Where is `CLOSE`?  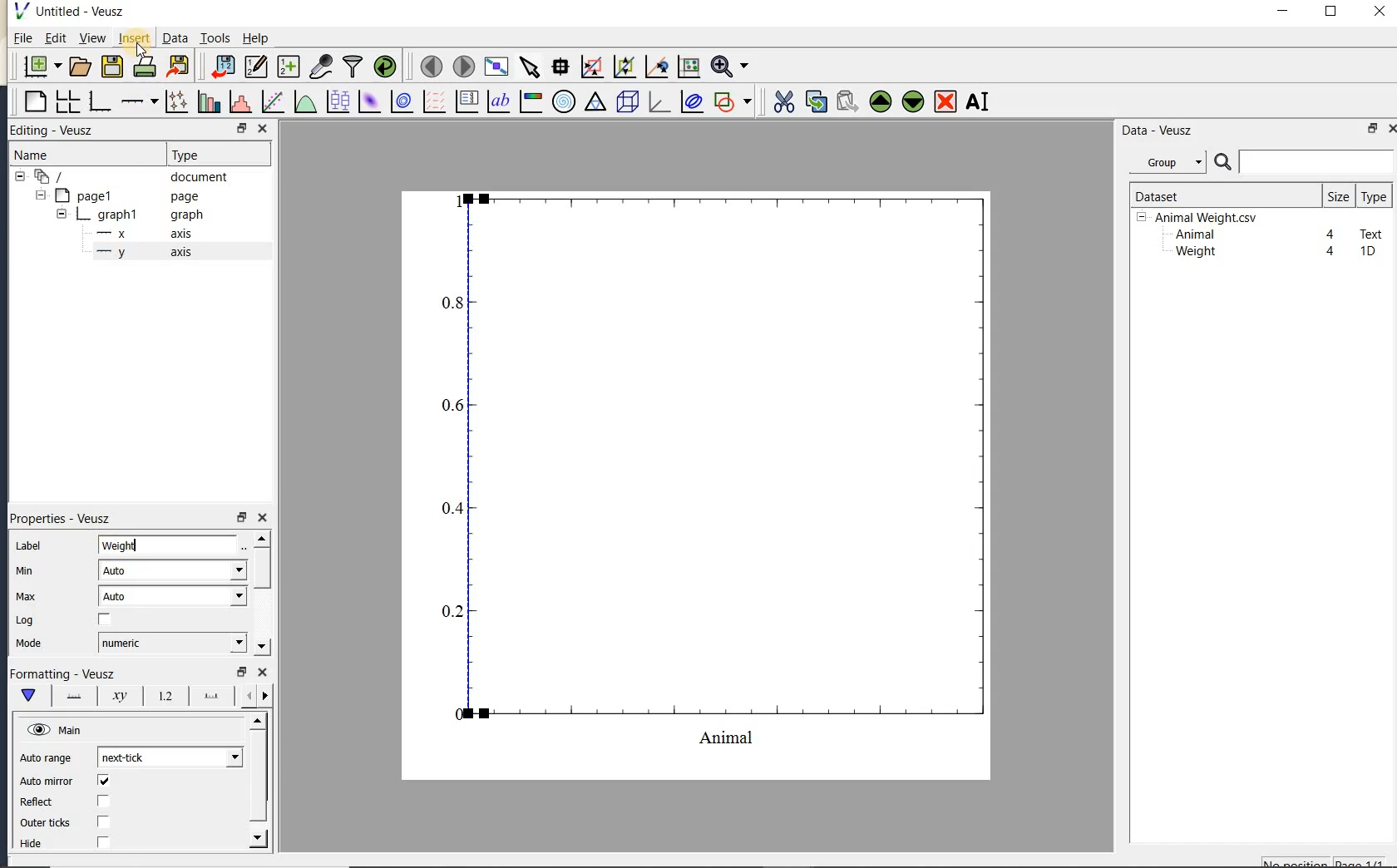 CLOSE is located at coordinates (262, 128).